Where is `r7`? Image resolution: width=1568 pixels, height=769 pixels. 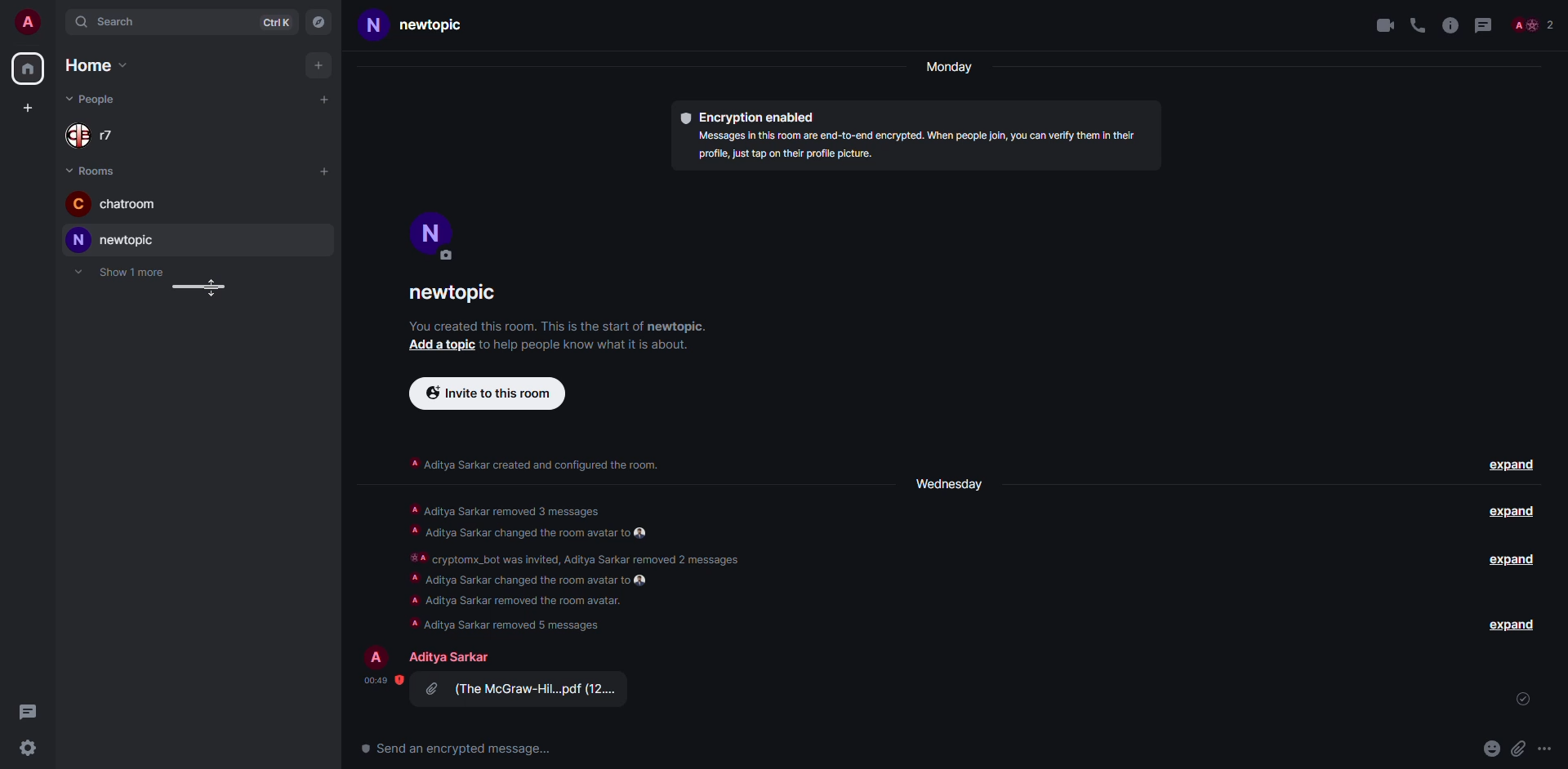
r7 is located at coordinates (96, 134).